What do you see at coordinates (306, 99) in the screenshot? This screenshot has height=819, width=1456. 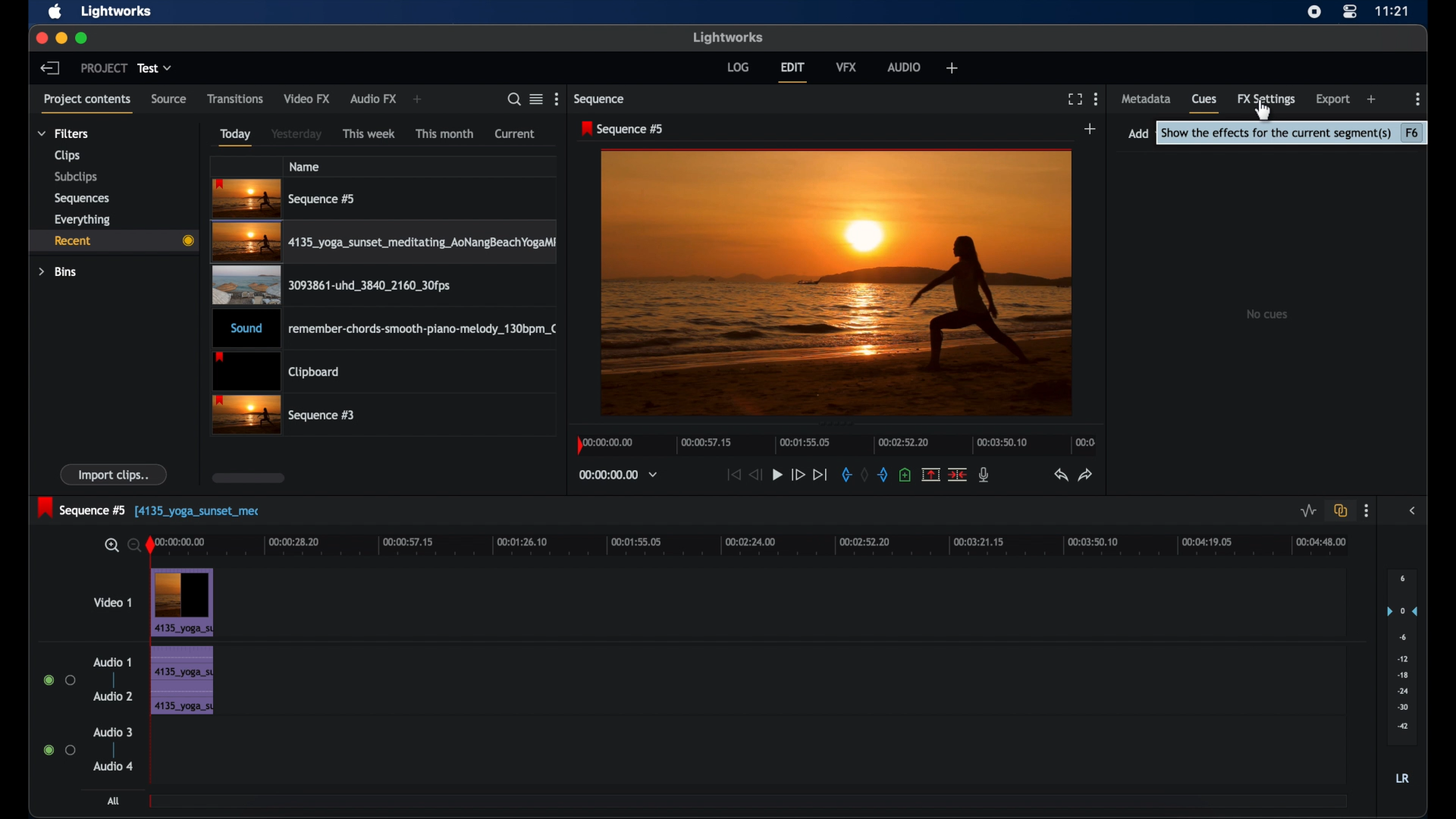 I see `video fx` at bounding box center [306, 99].